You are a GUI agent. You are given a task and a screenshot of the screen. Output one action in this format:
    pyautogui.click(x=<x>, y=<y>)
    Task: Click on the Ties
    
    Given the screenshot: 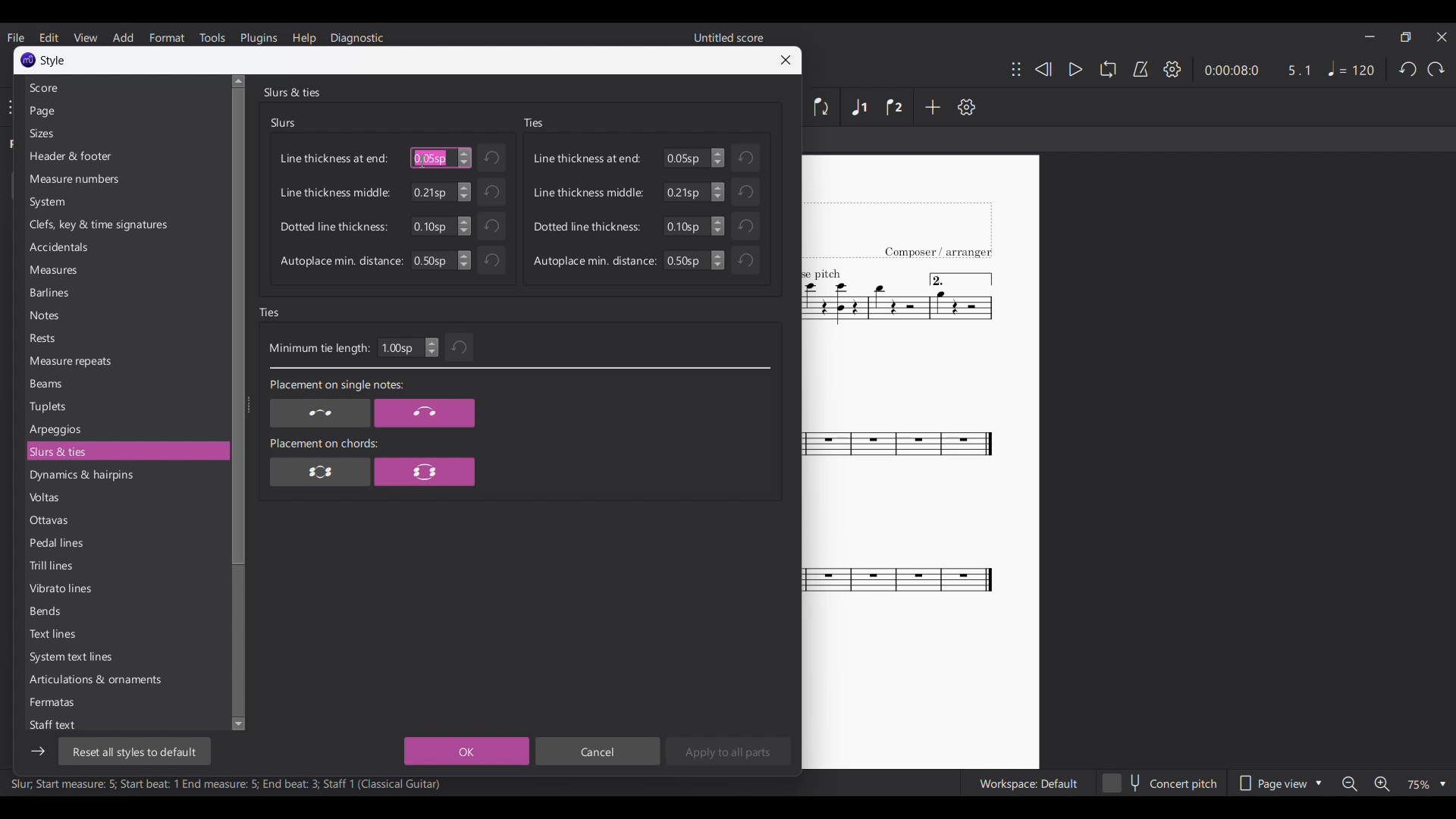 What is the action you would take?
    pyautogui.click(x=270, y=312)
    